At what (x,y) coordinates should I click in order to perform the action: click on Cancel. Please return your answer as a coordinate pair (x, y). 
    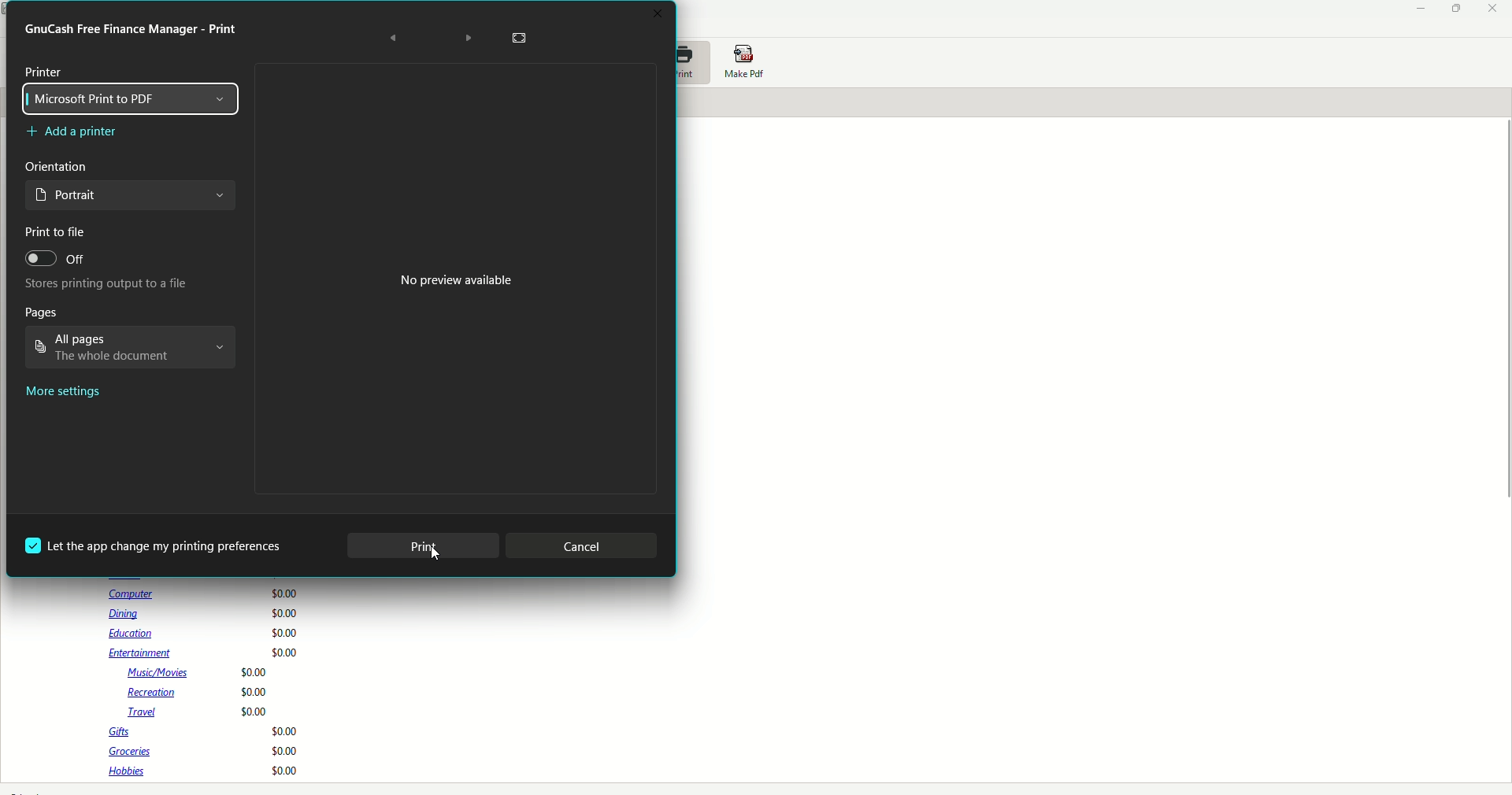
    Looking at the image, I should click on (581, 545).